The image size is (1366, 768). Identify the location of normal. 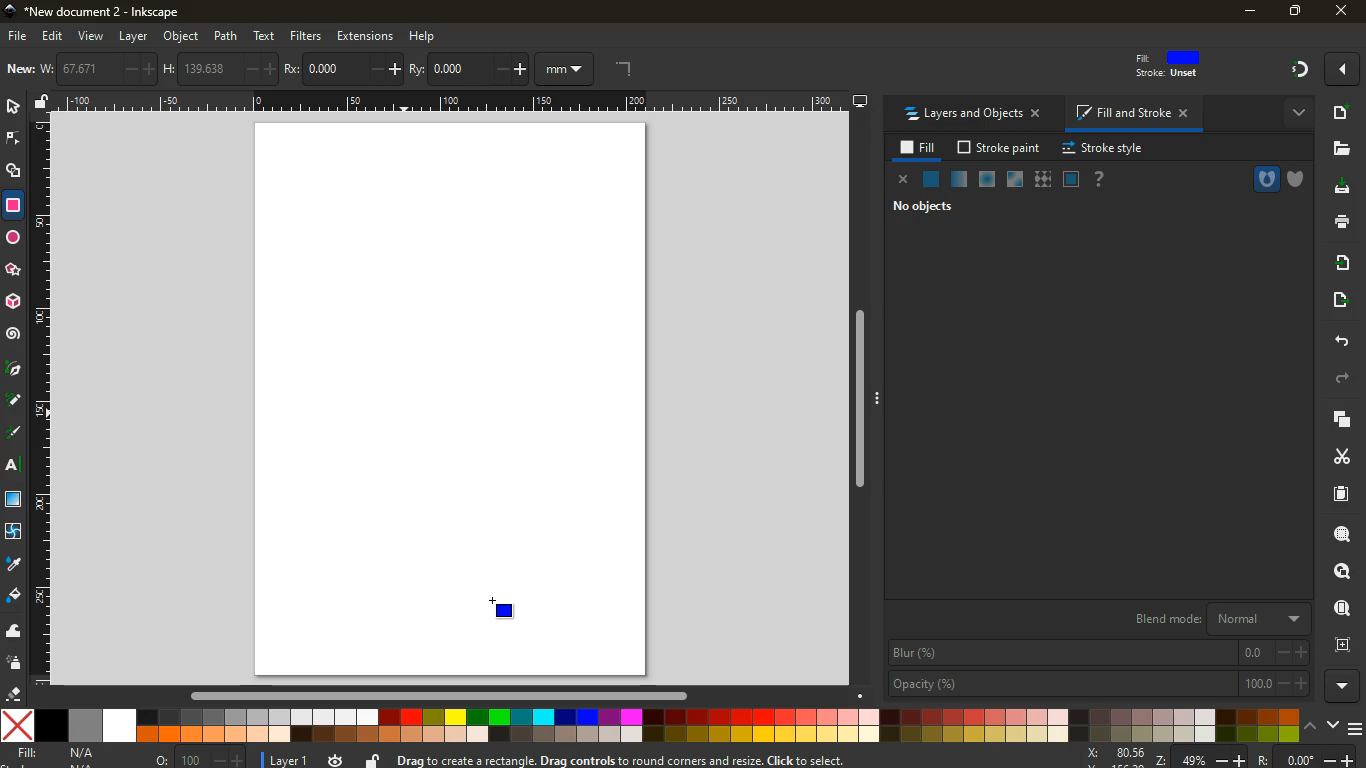
(930, 179).